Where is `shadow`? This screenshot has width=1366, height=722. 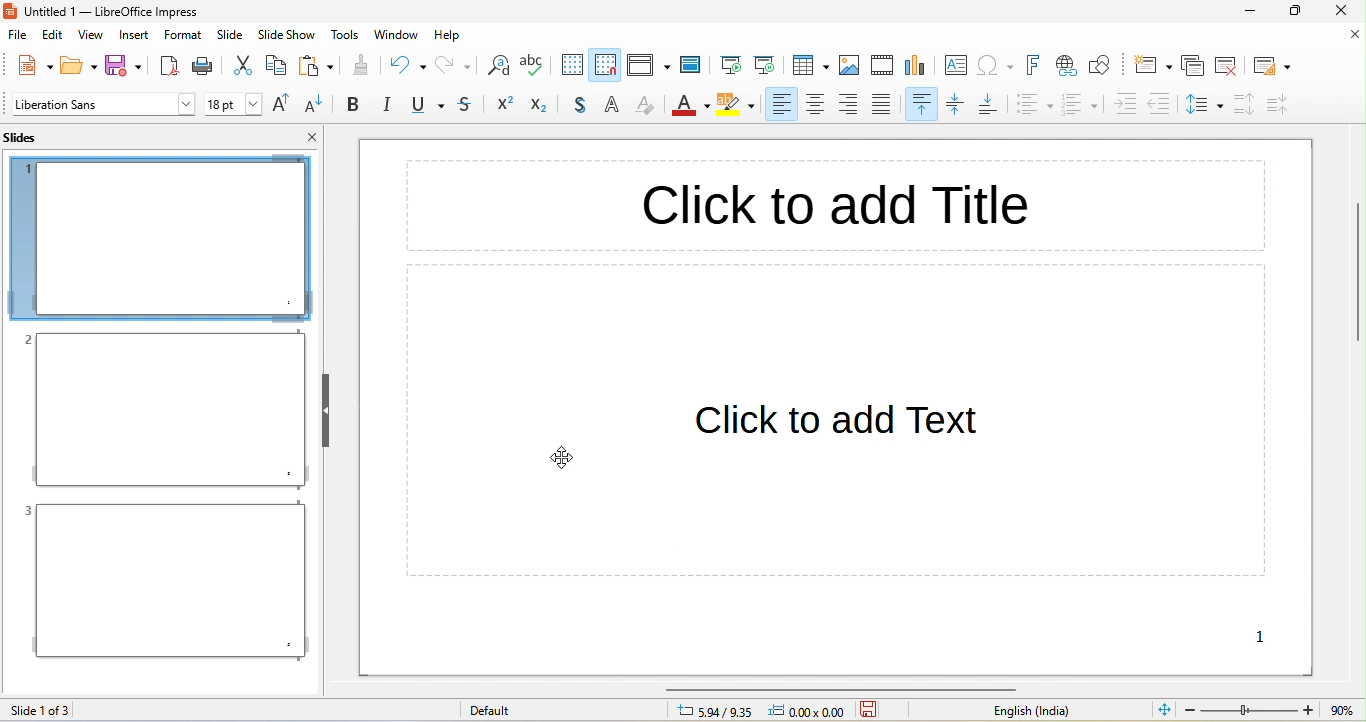 shadow is located at coordinates (583, 106).